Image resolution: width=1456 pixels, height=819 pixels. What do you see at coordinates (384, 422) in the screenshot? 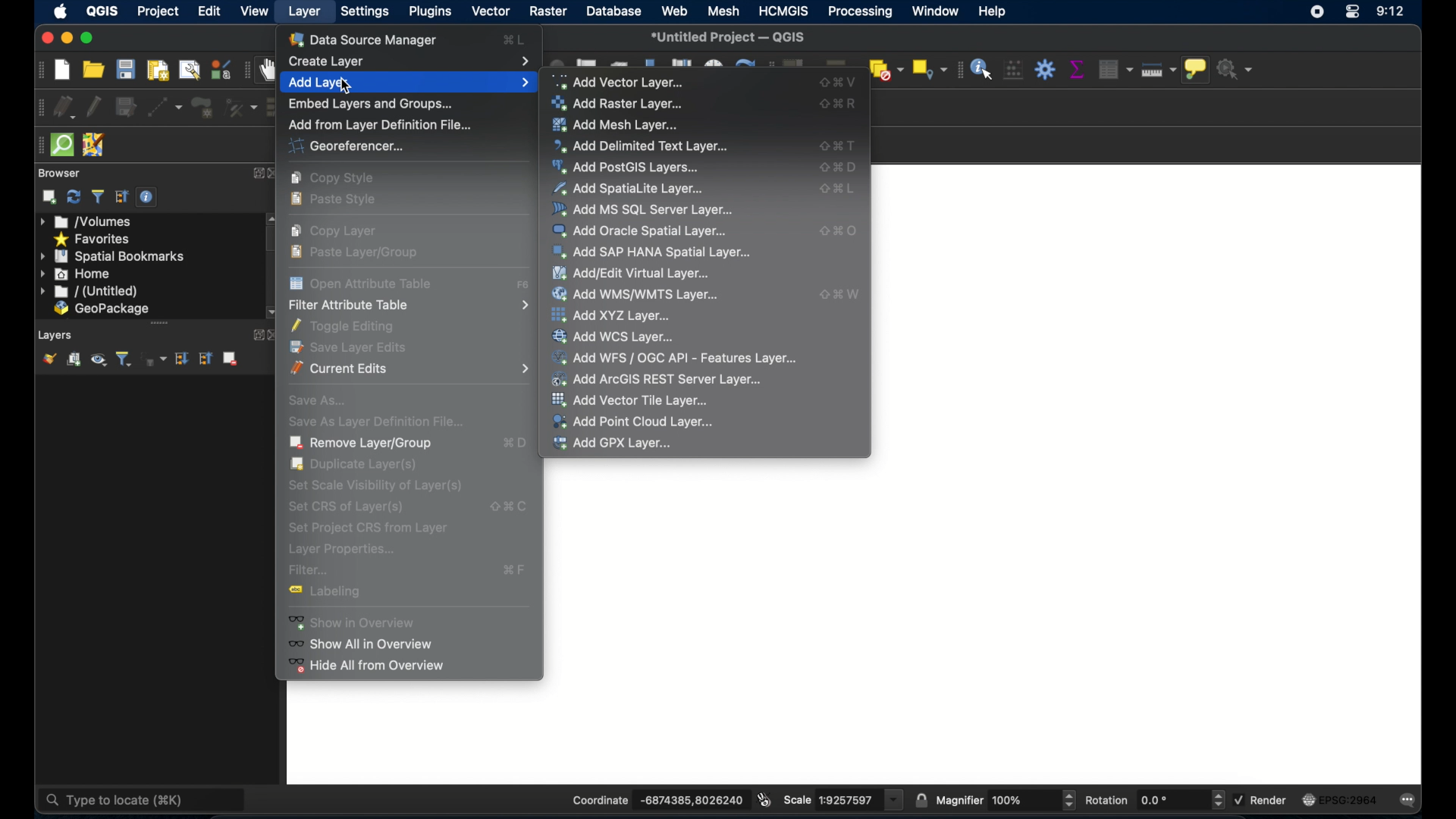
I see `Save As Layer Definition File...` at bounding box center [384, 422].